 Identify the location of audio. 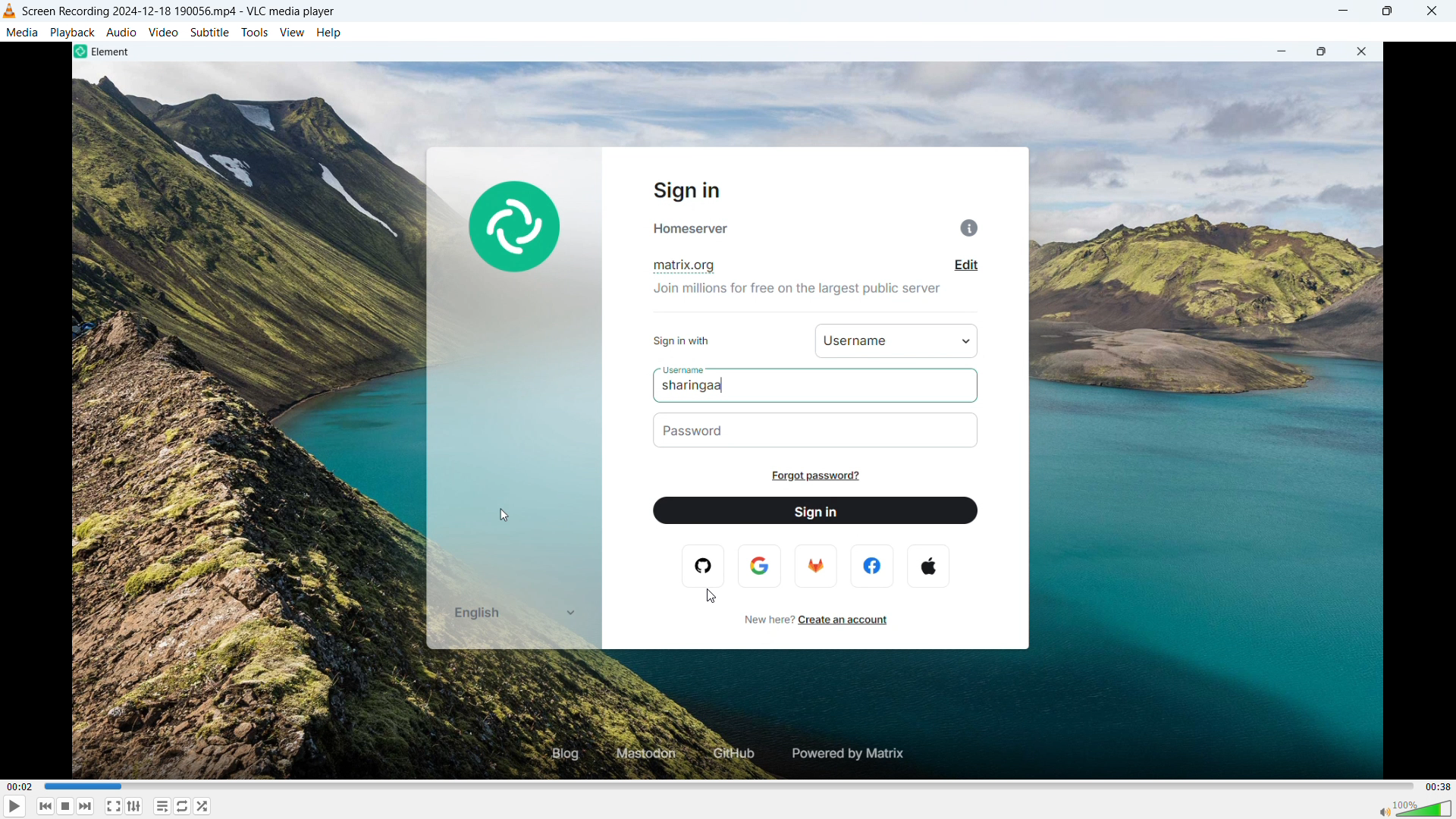
(122, 31).